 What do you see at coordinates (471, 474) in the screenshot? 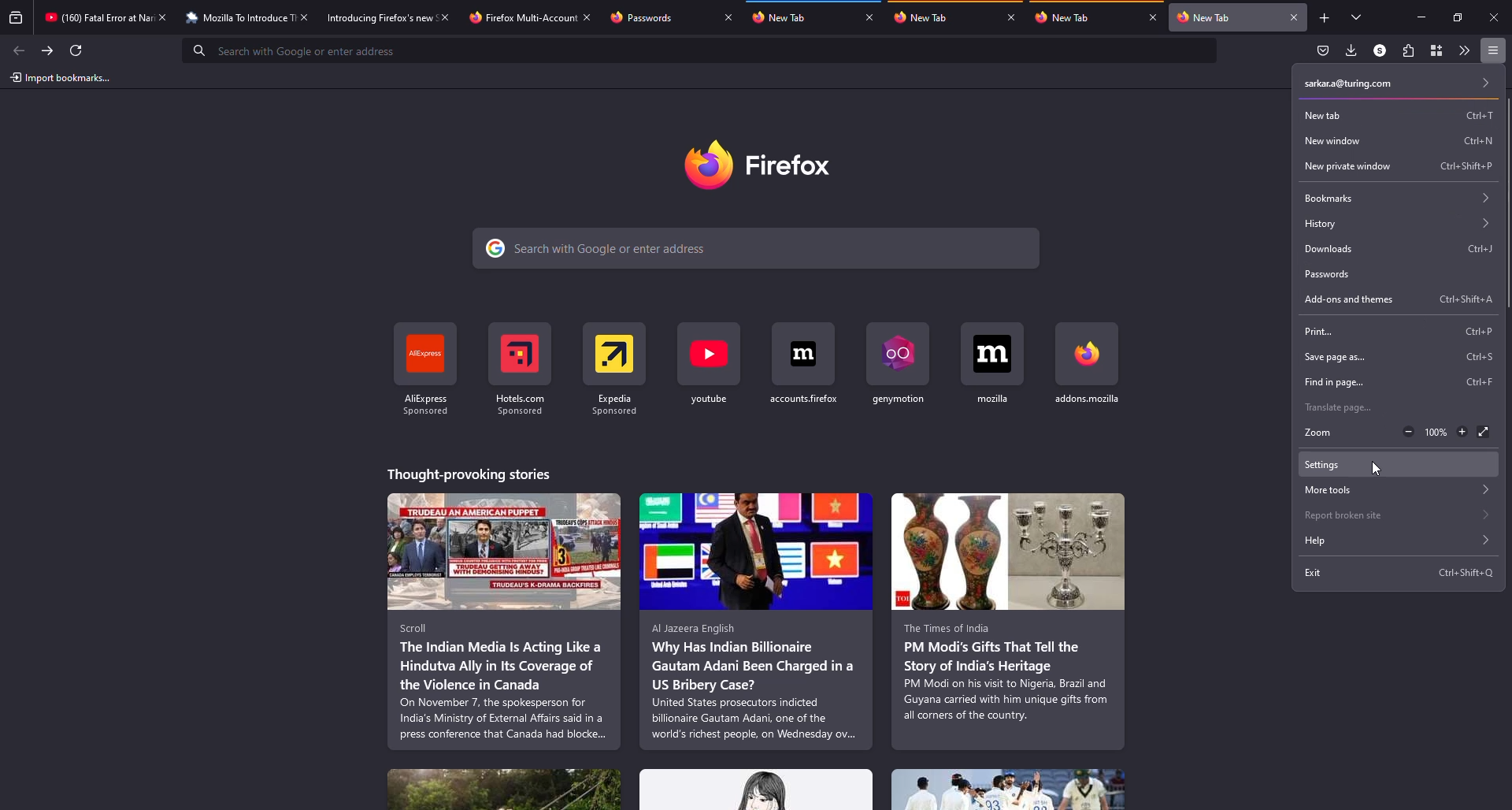
I see `stories` at bounding box center [471, 474].